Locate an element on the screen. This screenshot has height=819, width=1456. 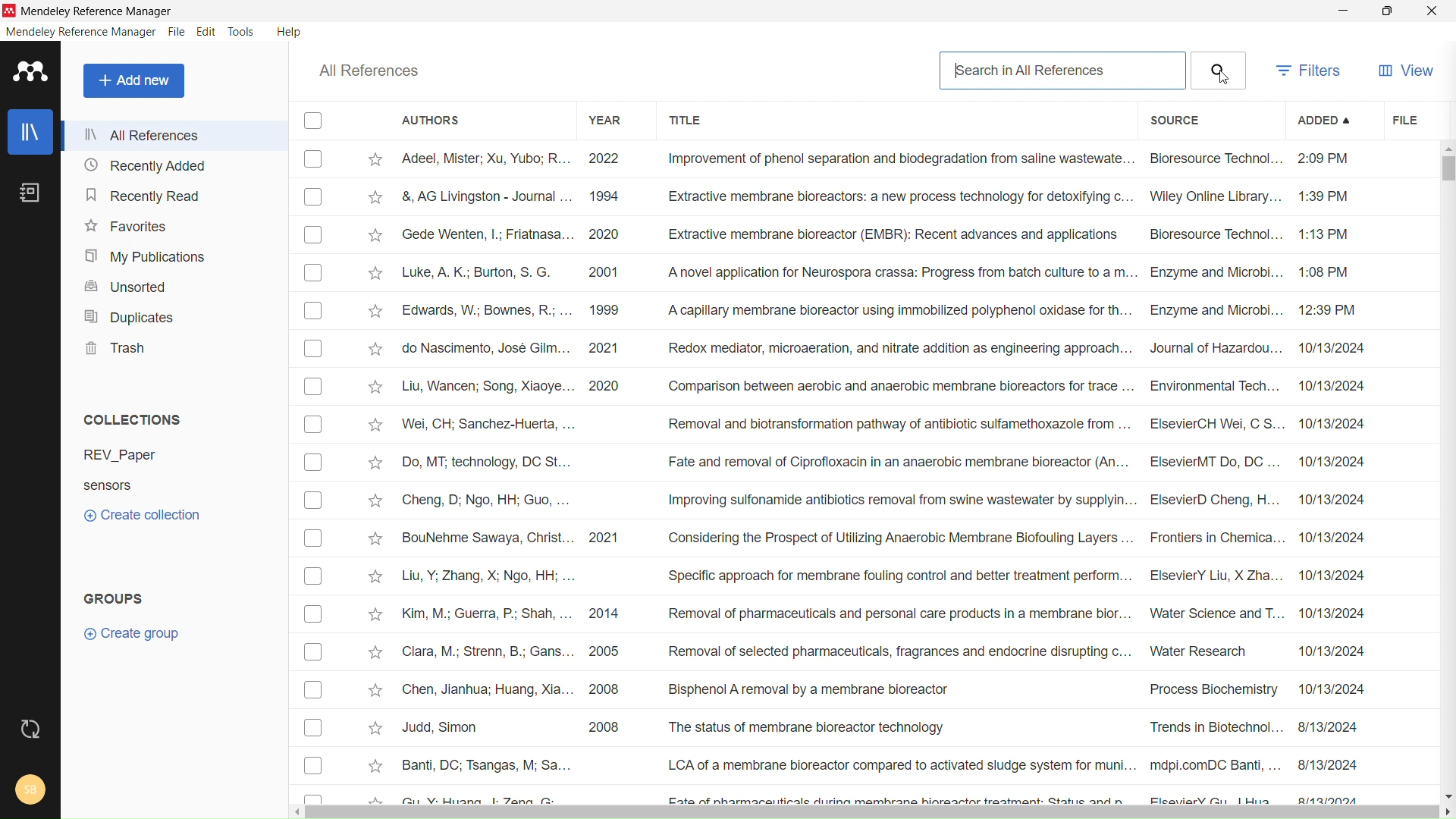
sync is located at coordinates (30, 730).